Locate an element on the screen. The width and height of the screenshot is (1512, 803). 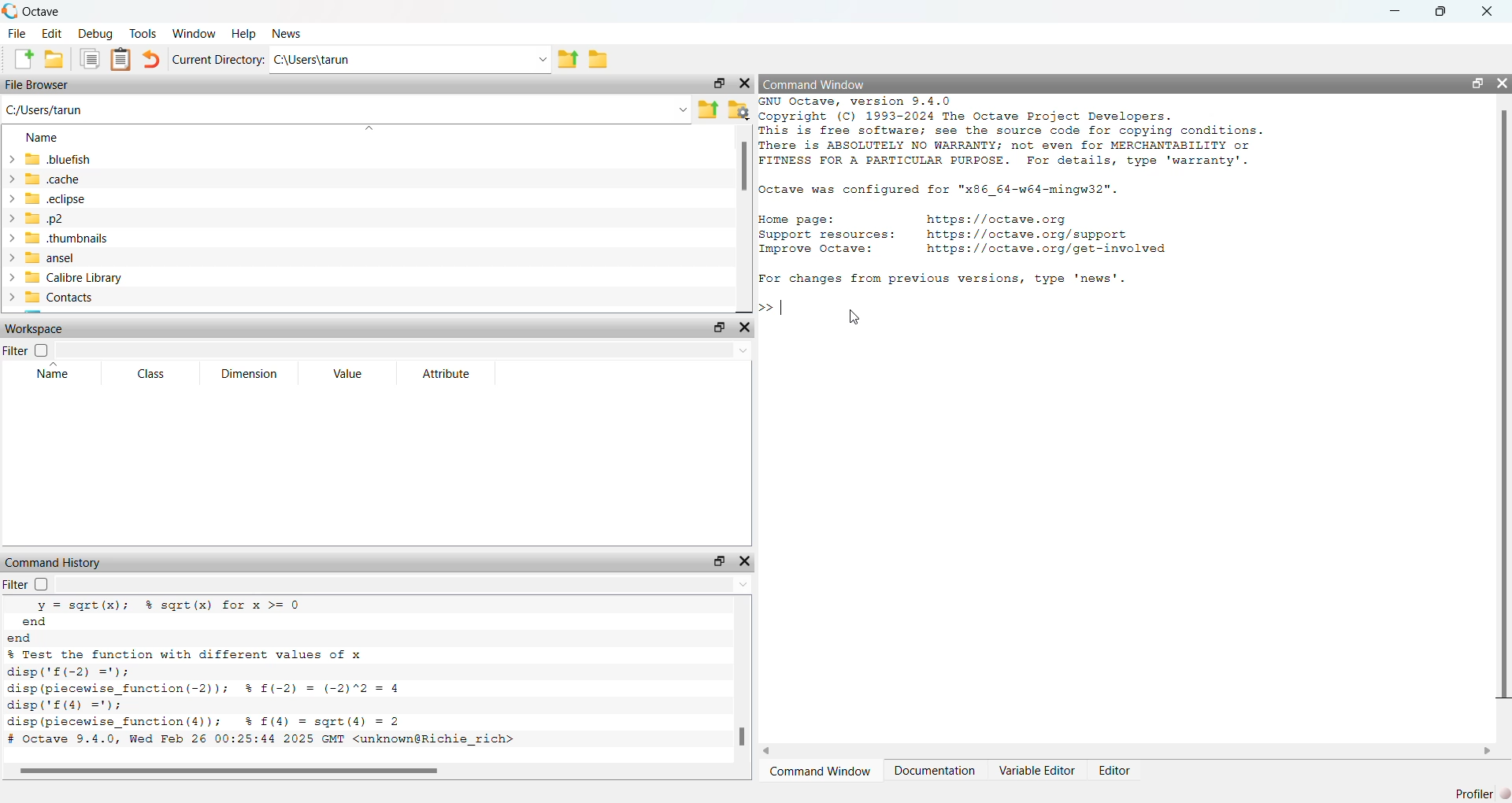
Paste is located at coordinates (121, 58).